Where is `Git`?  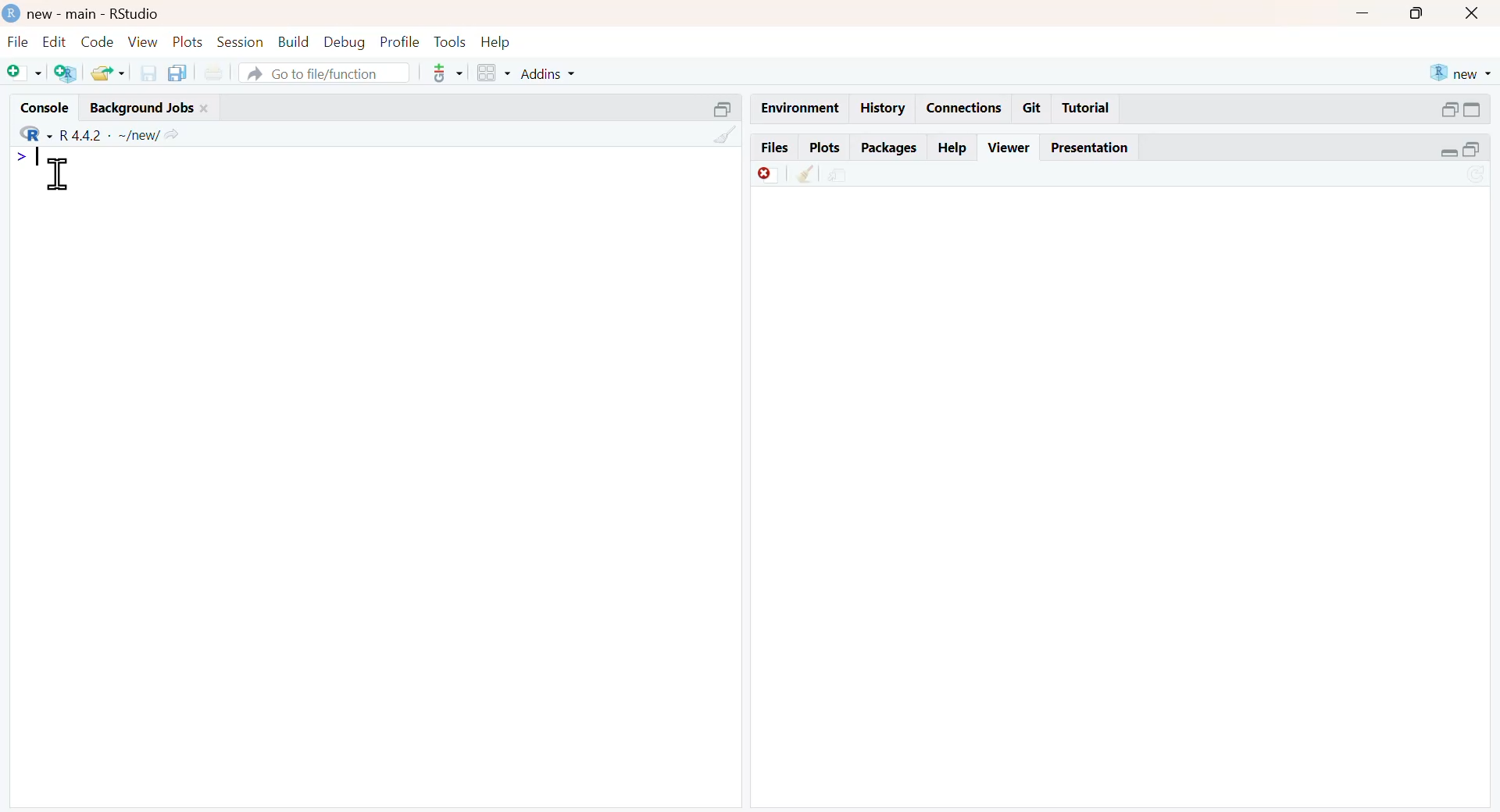 Git is located at coordinates (1031, 109).